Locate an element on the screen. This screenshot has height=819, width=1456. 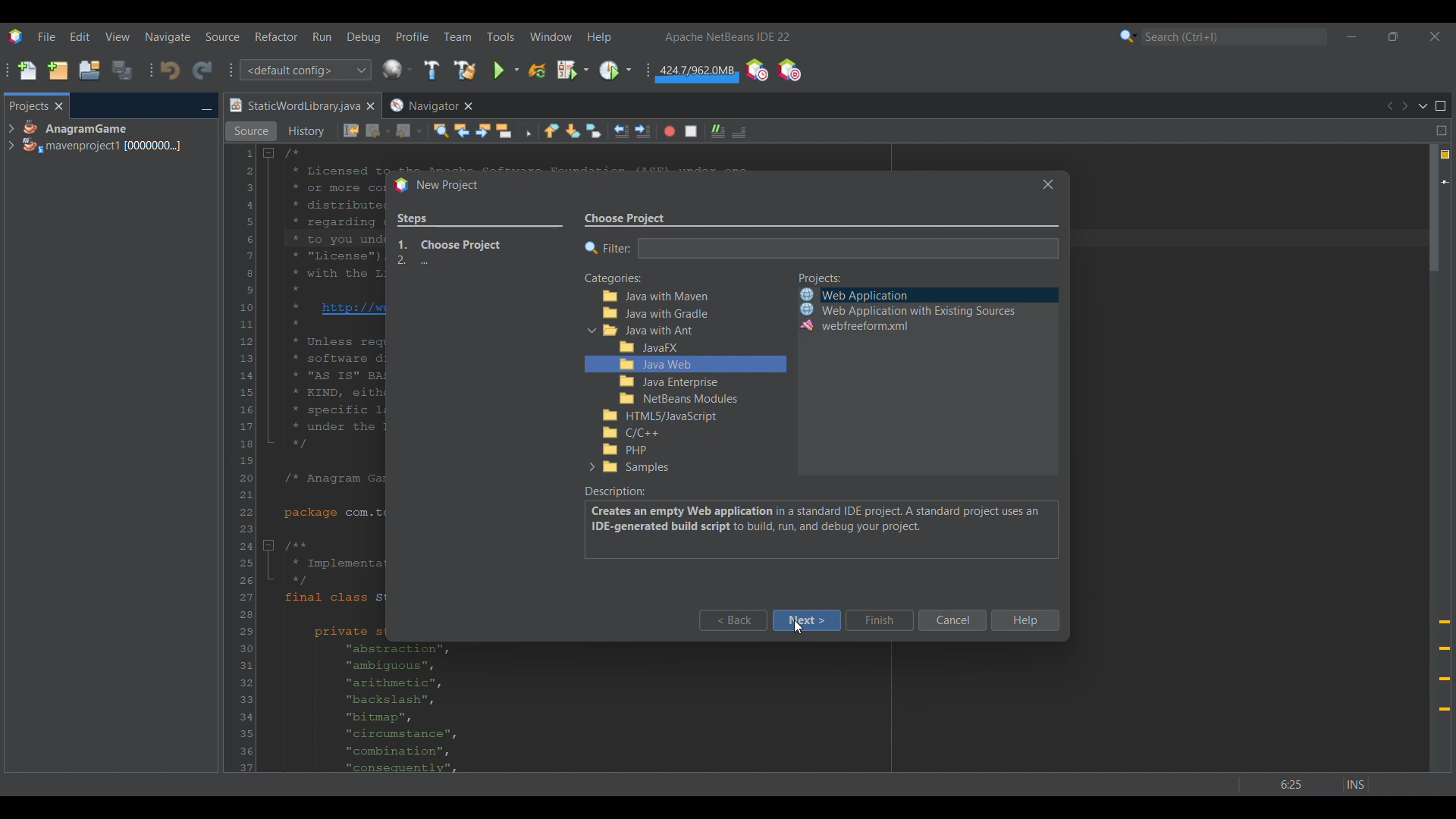
Section title is located at coordinates (821, 278).